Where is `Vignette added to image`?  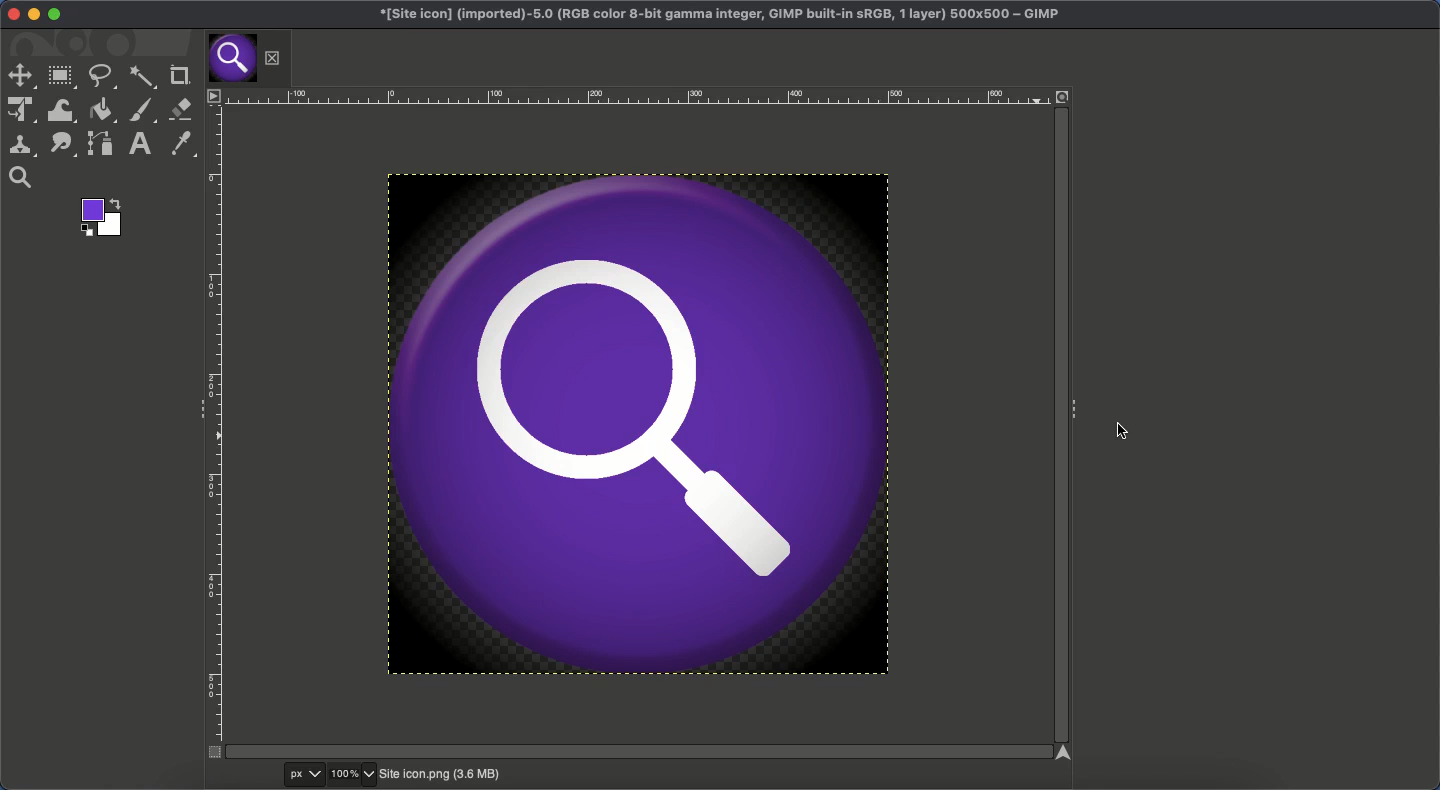
Vignette added to image is located at coordinates (640, 425).